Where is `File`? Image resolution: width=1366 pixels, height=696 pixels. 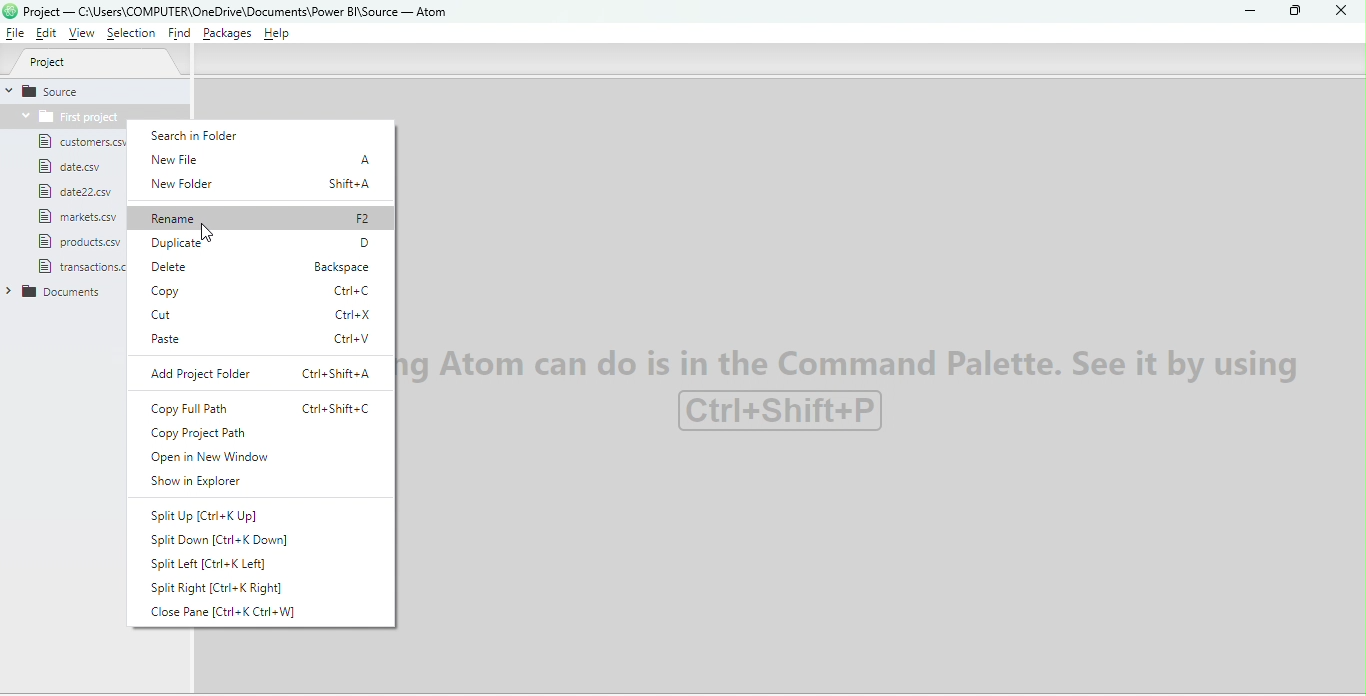 File is located at coordinates (80, 191).